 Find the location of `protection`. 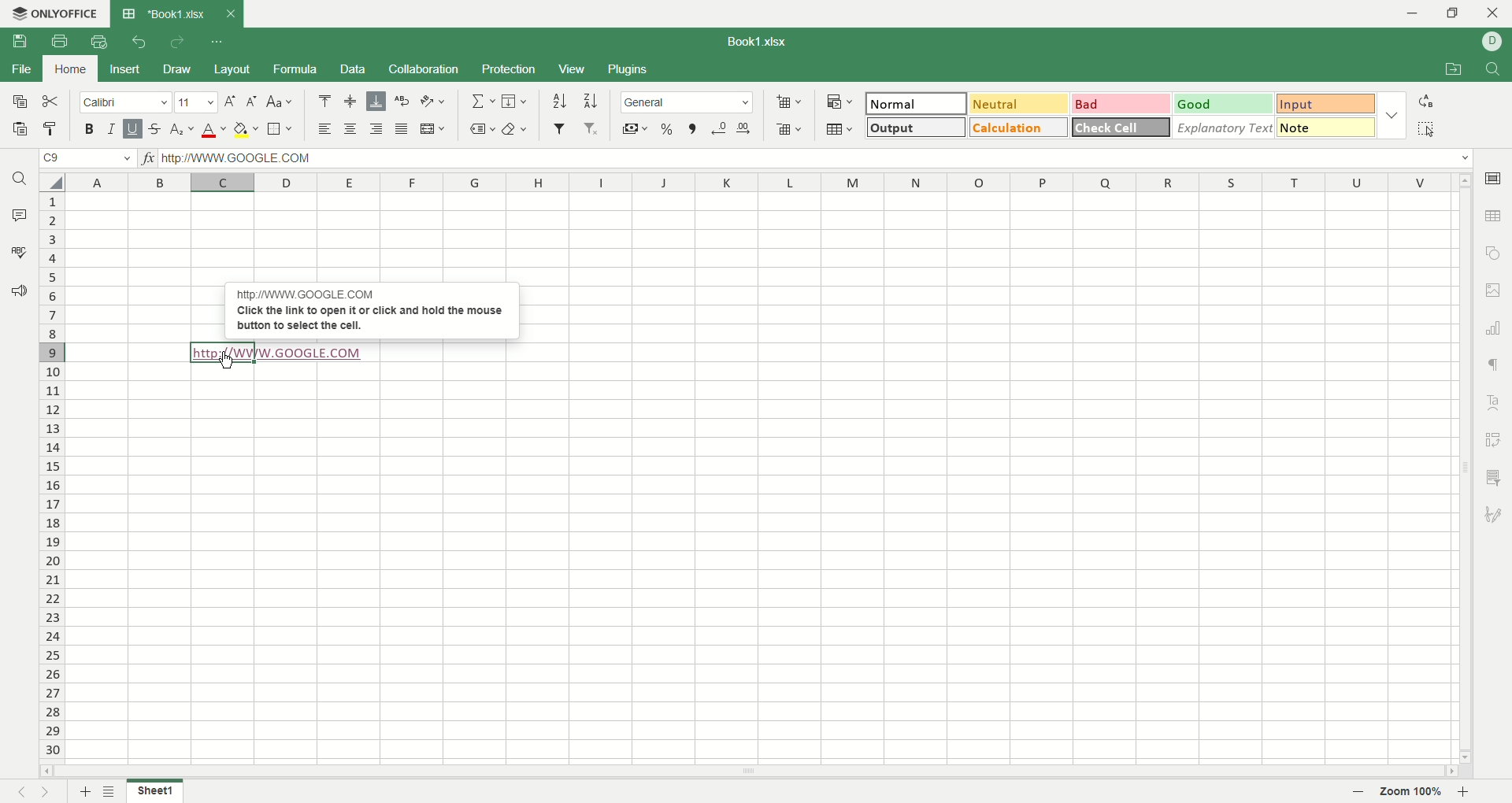

protection is located at coordinates (507, 69).